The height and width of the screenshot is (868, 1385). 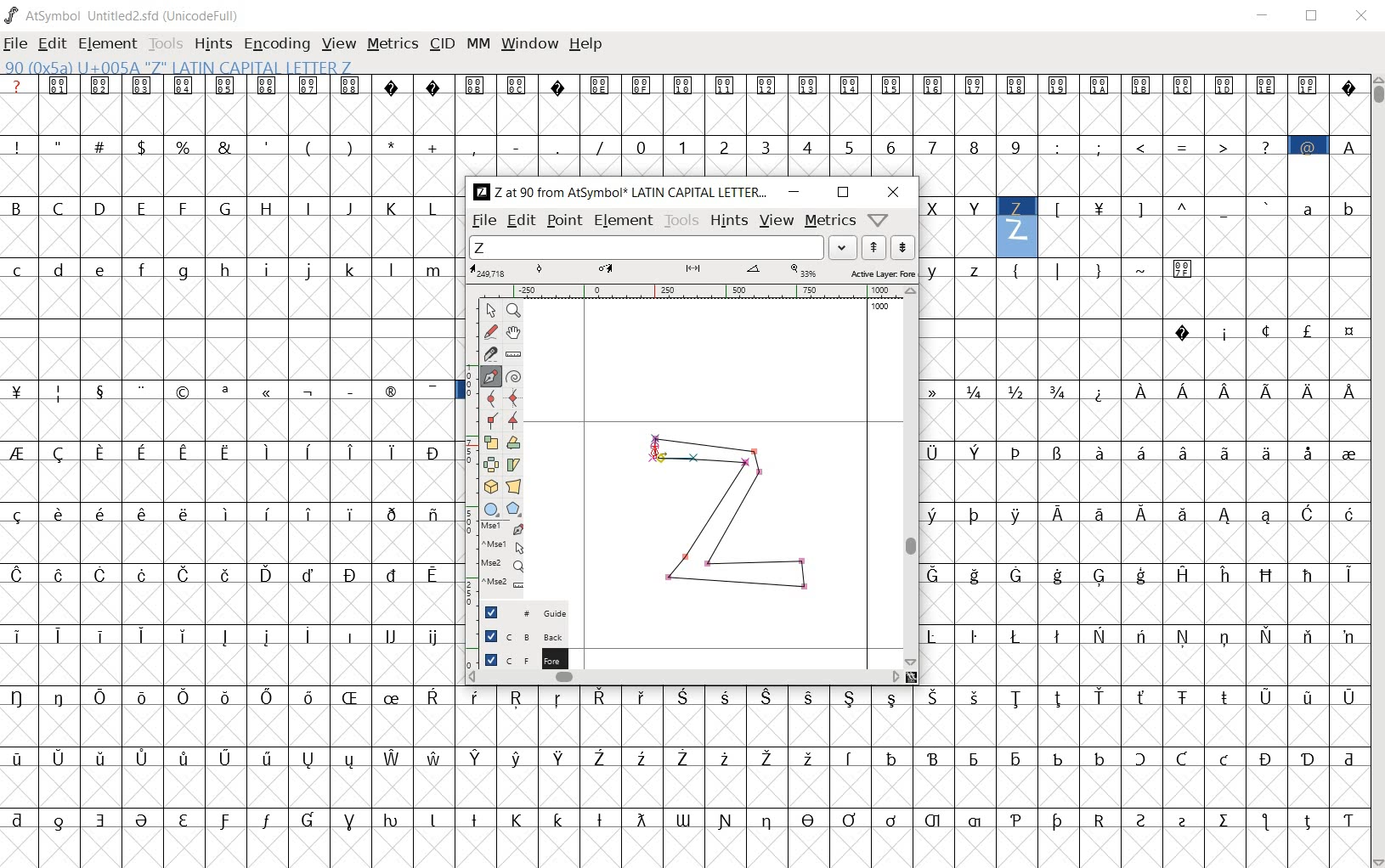 What do you see at coordinates (490, 465) in the screenshot?
I see `flip the selection` at bounding box center [490, 465].